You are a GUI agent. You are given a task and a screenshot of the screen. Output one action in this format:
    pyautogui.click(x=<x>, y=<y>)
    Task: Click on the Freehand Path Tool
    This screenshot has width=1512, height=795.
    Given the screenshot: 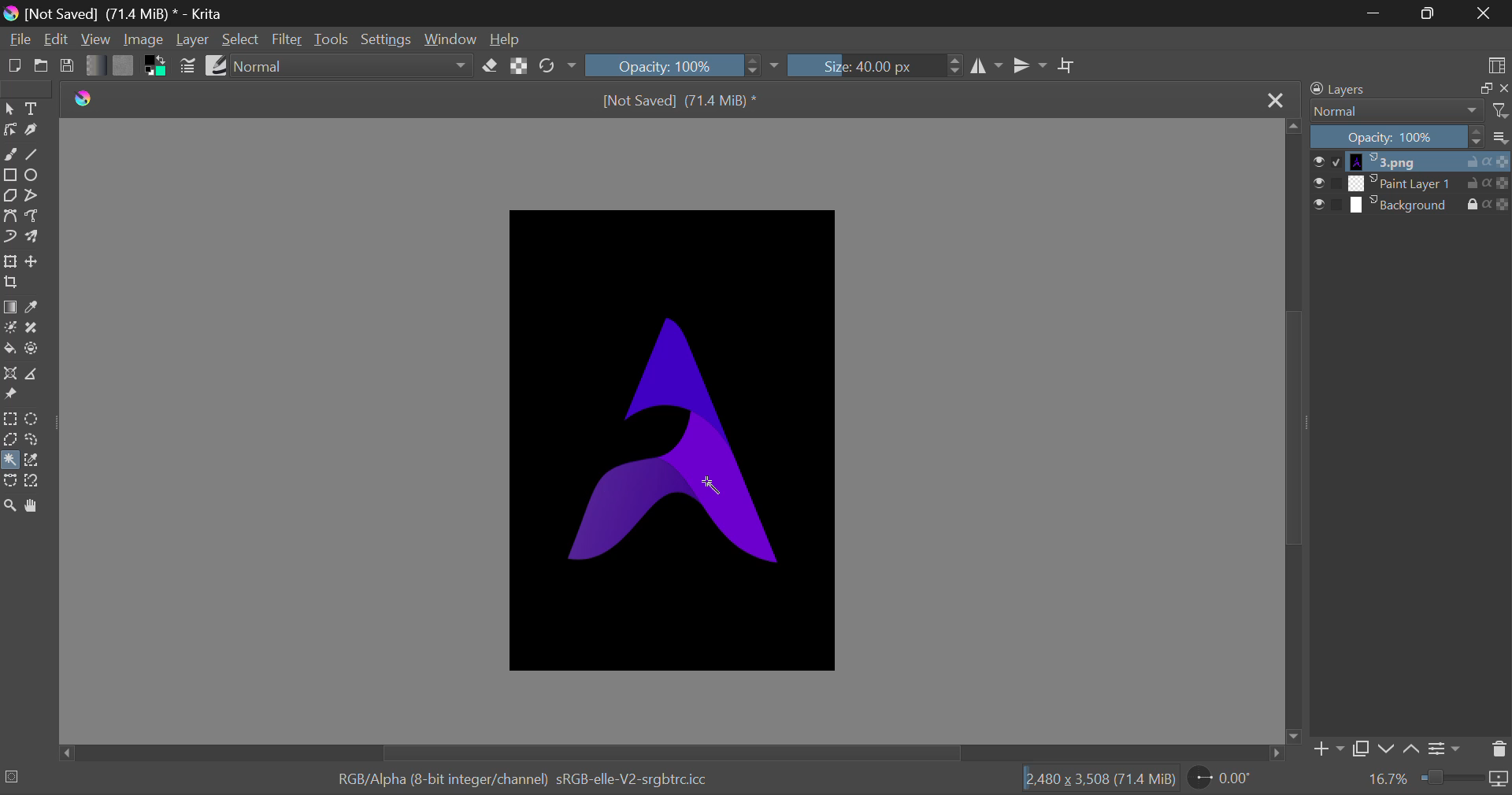 What is the action you would take?
    pyautogui.click(x=36, y=217)
    